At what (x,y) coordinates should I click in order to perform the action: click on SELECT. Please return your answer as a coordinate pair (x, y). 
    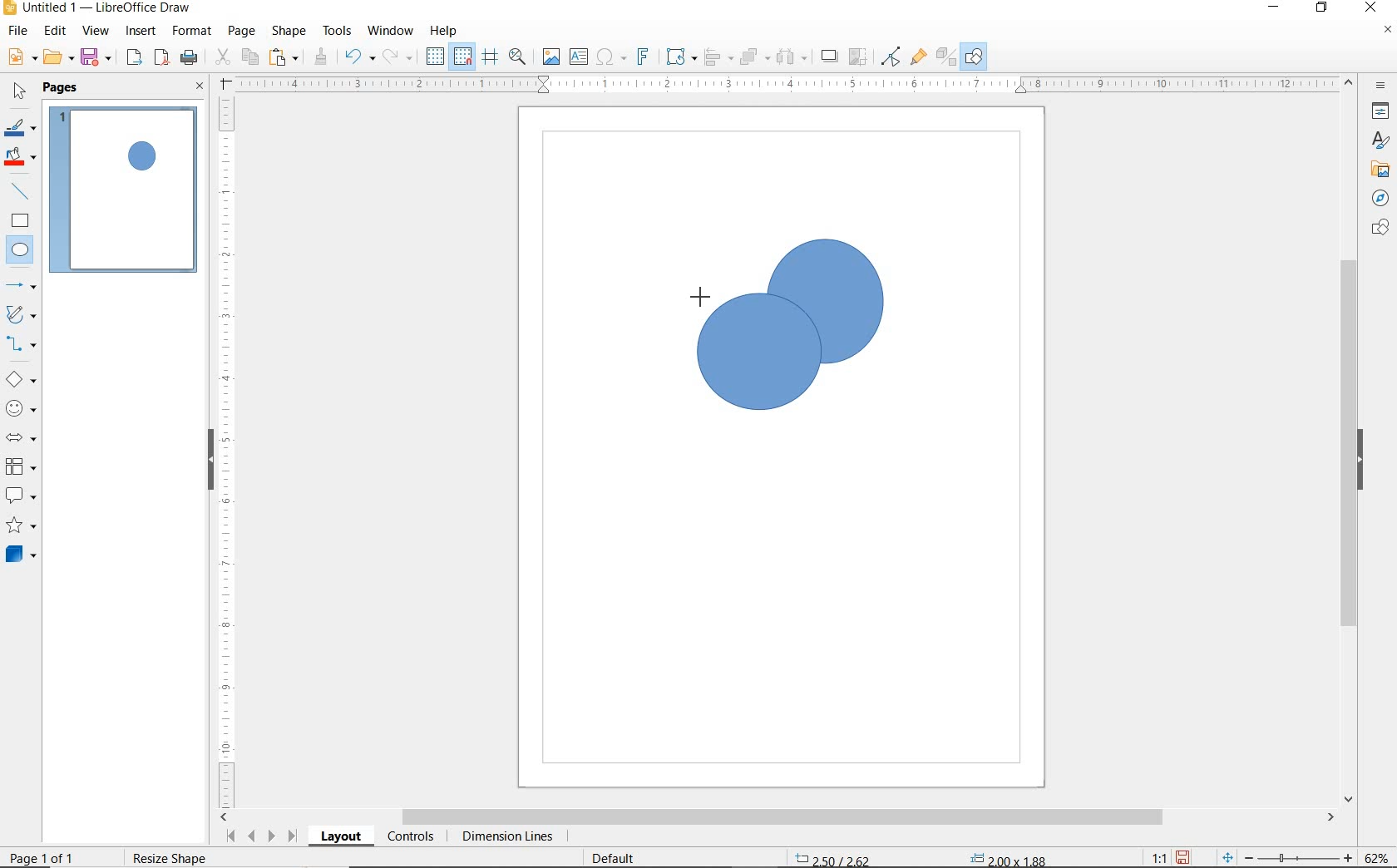
    Looking at the image, I should click on (20, 92).